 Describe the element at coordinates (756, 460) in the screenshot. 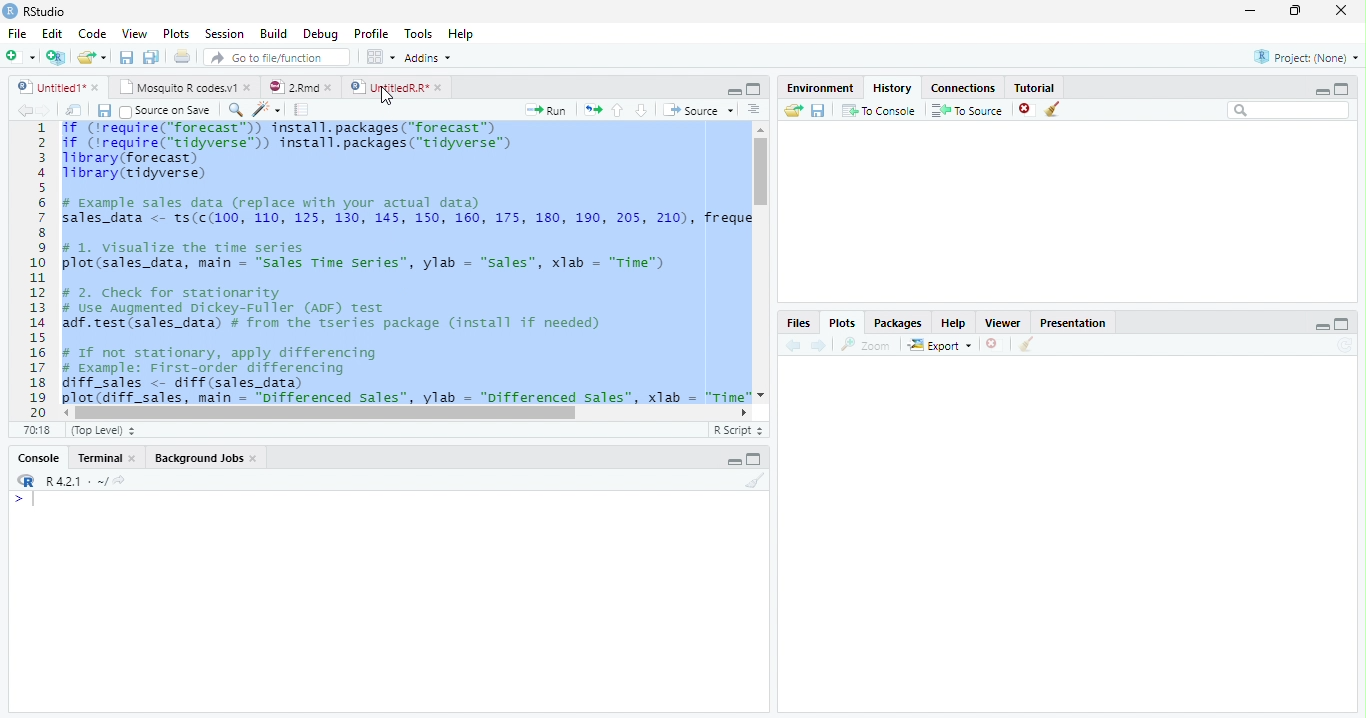

I see `Maximize` at that location.